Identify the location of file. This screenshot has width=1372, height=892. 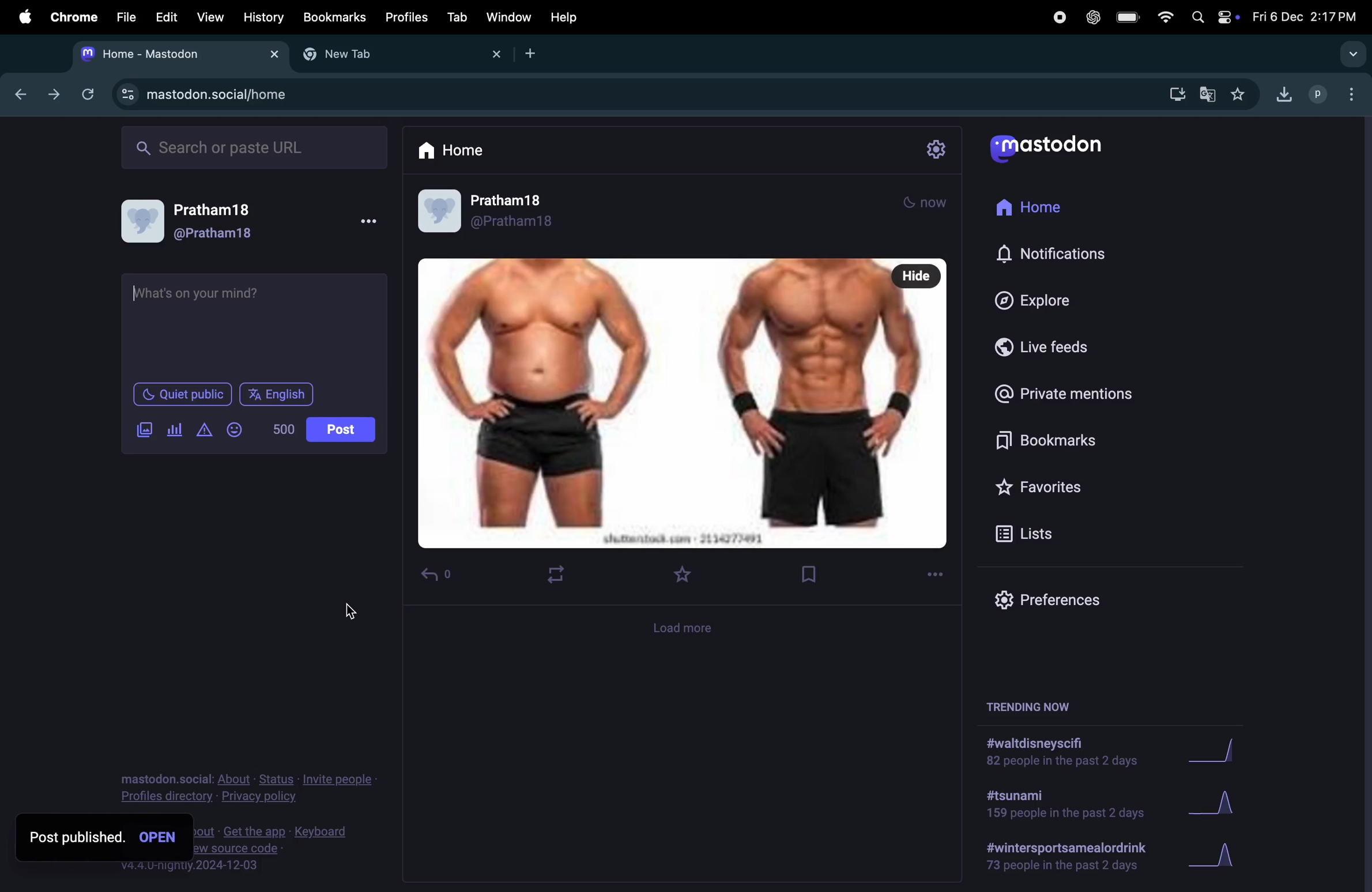
(126, 18).